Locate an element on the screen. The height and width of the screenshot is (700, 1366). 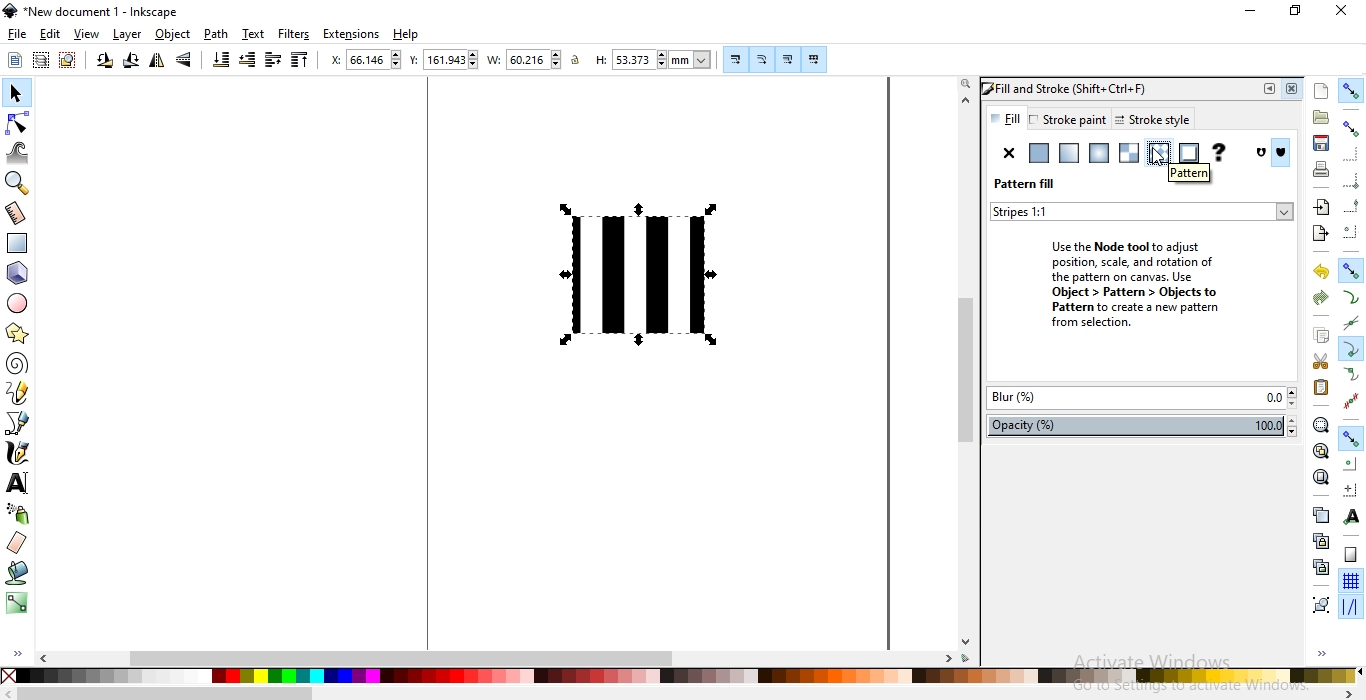
edit is located at coordinates (50, 33).